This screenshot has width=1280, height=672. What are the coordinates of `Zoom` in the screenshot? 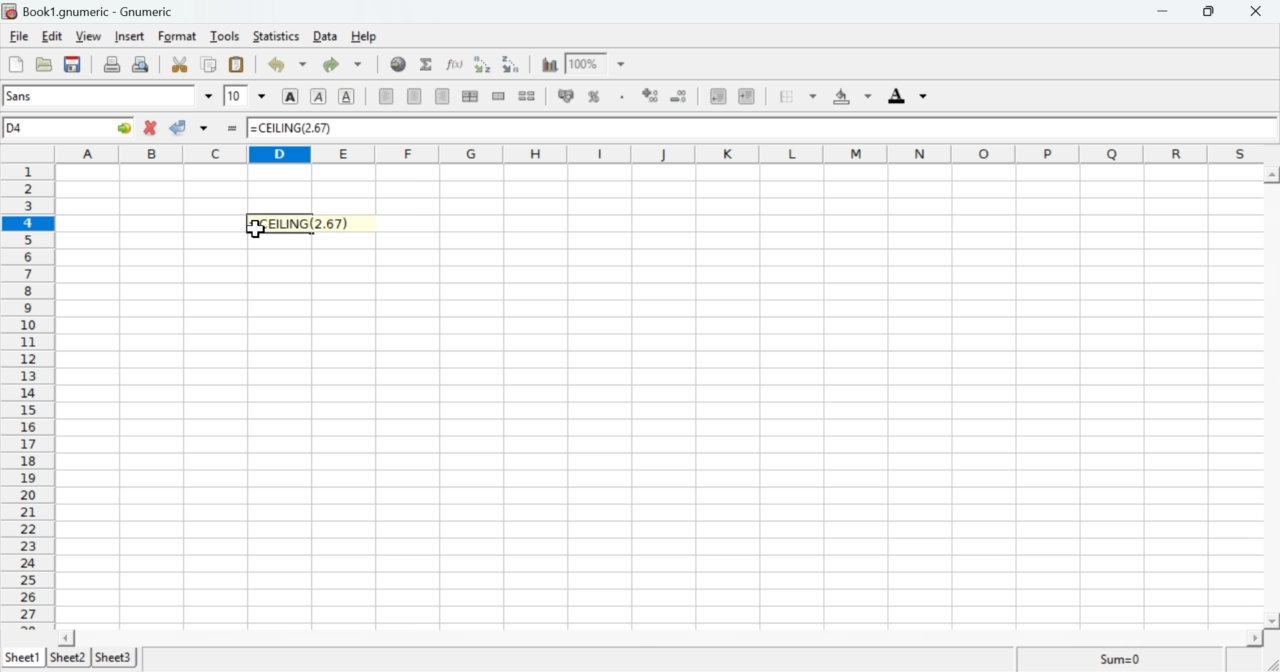 It's located at (599, 63).